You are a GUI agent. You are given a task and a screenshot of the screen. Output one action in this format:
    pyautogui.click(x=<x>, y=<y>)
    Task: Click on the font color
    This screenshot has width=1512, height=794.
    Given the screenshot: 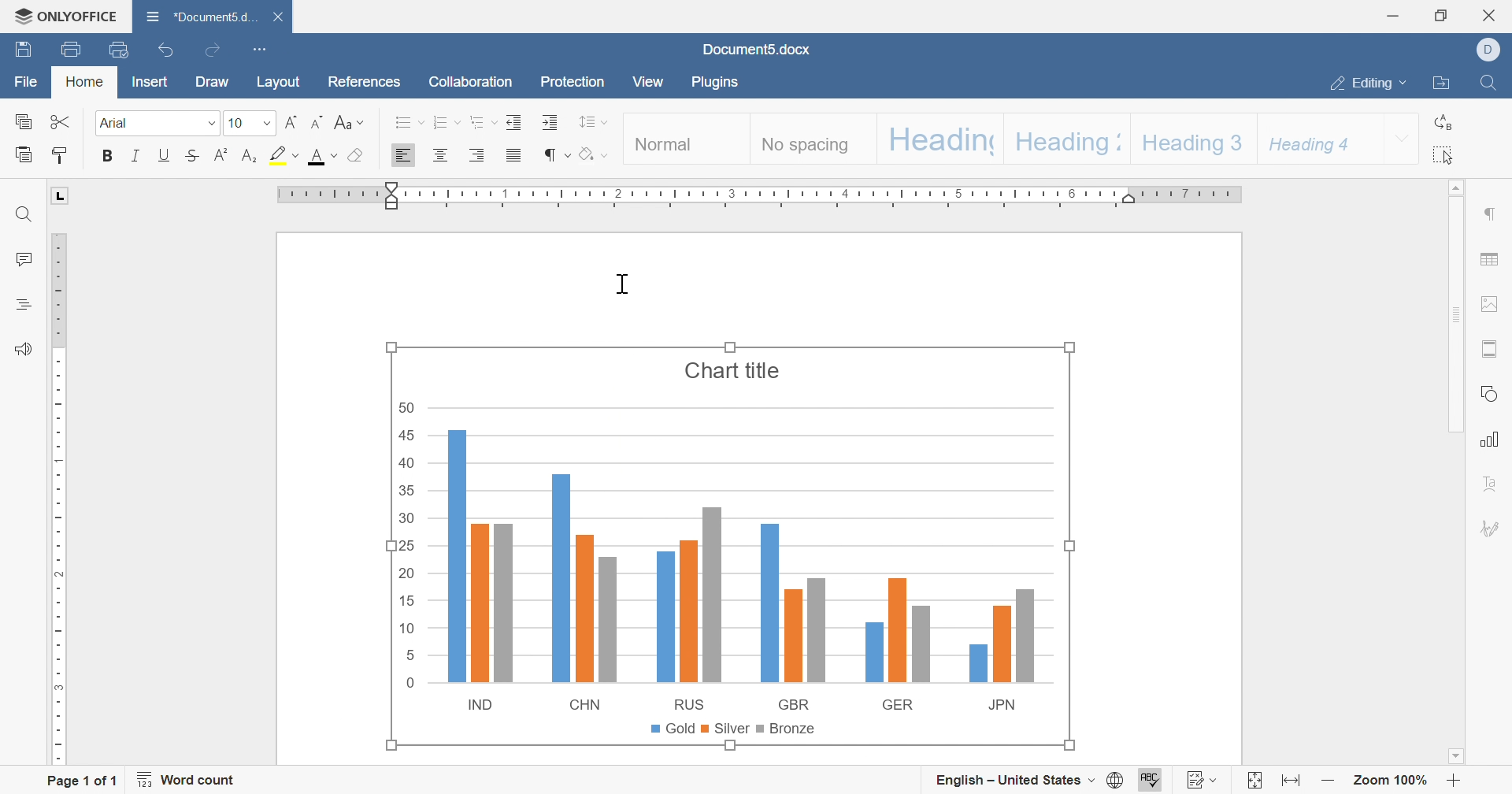 What is the action you would take?
    pyautogui.click(x=322, y=157)
    